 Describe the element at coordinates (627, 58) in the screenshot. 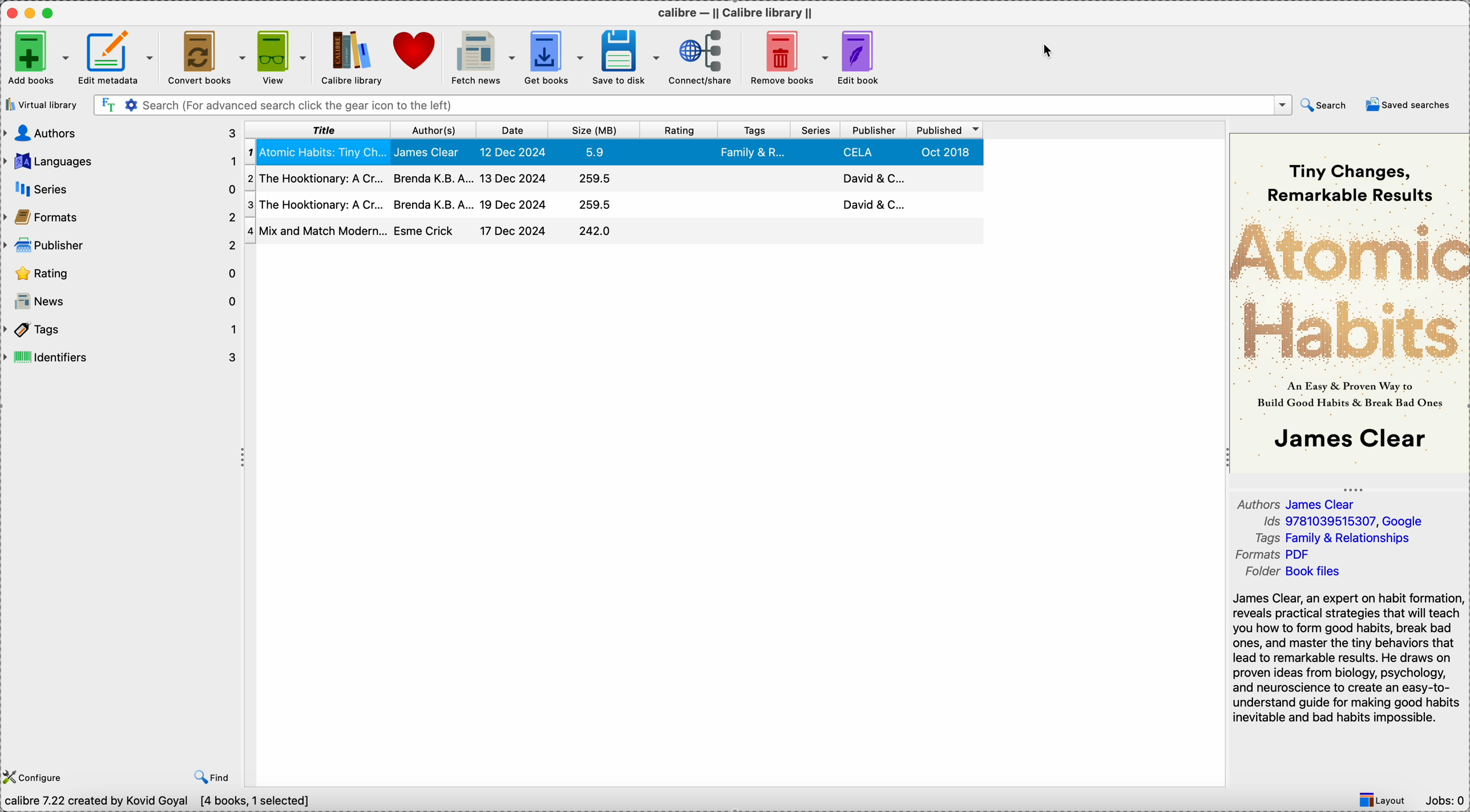

I see `save to disk` at that location.